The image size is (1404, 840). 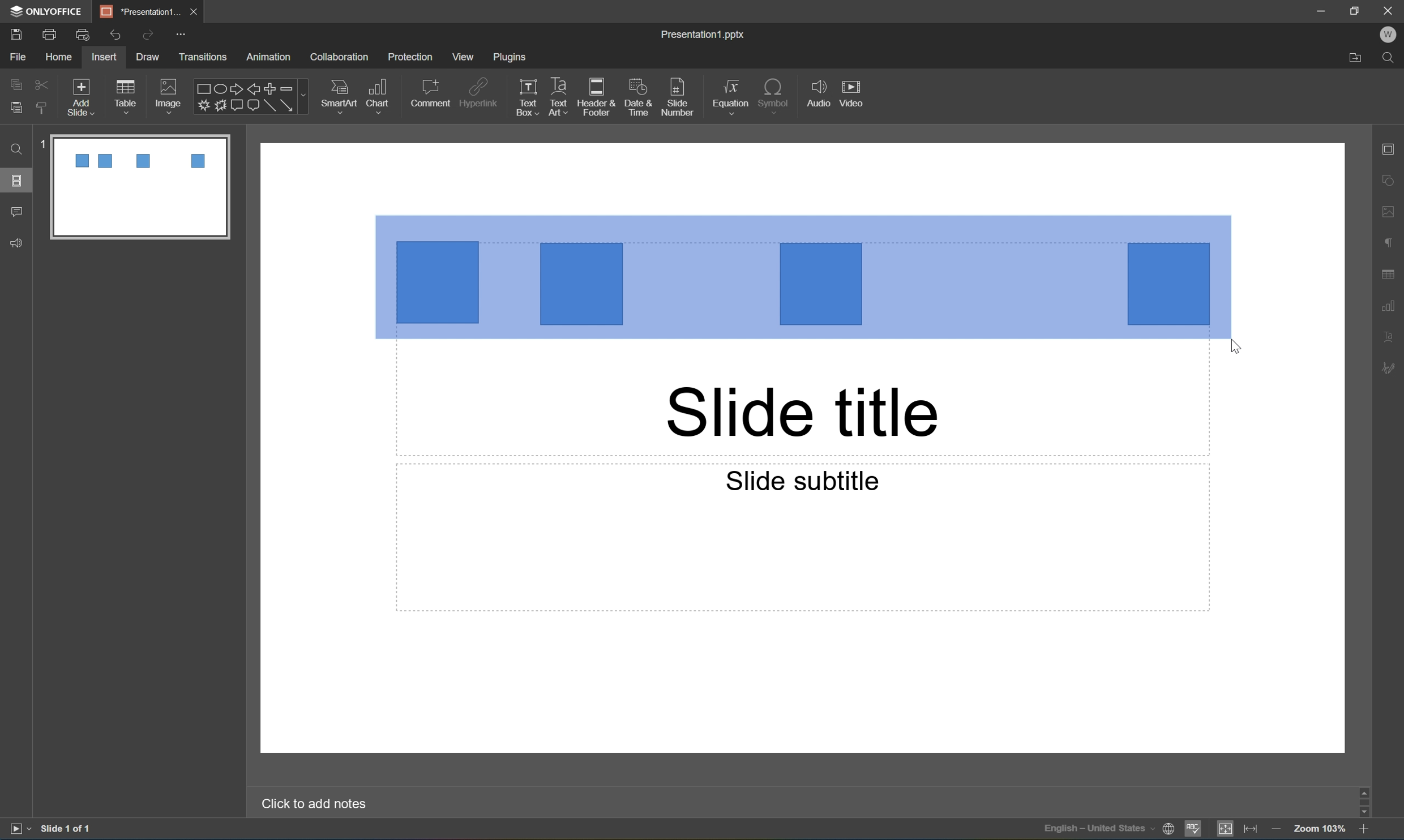 I want to click on text art, so click(x=555, y=98).